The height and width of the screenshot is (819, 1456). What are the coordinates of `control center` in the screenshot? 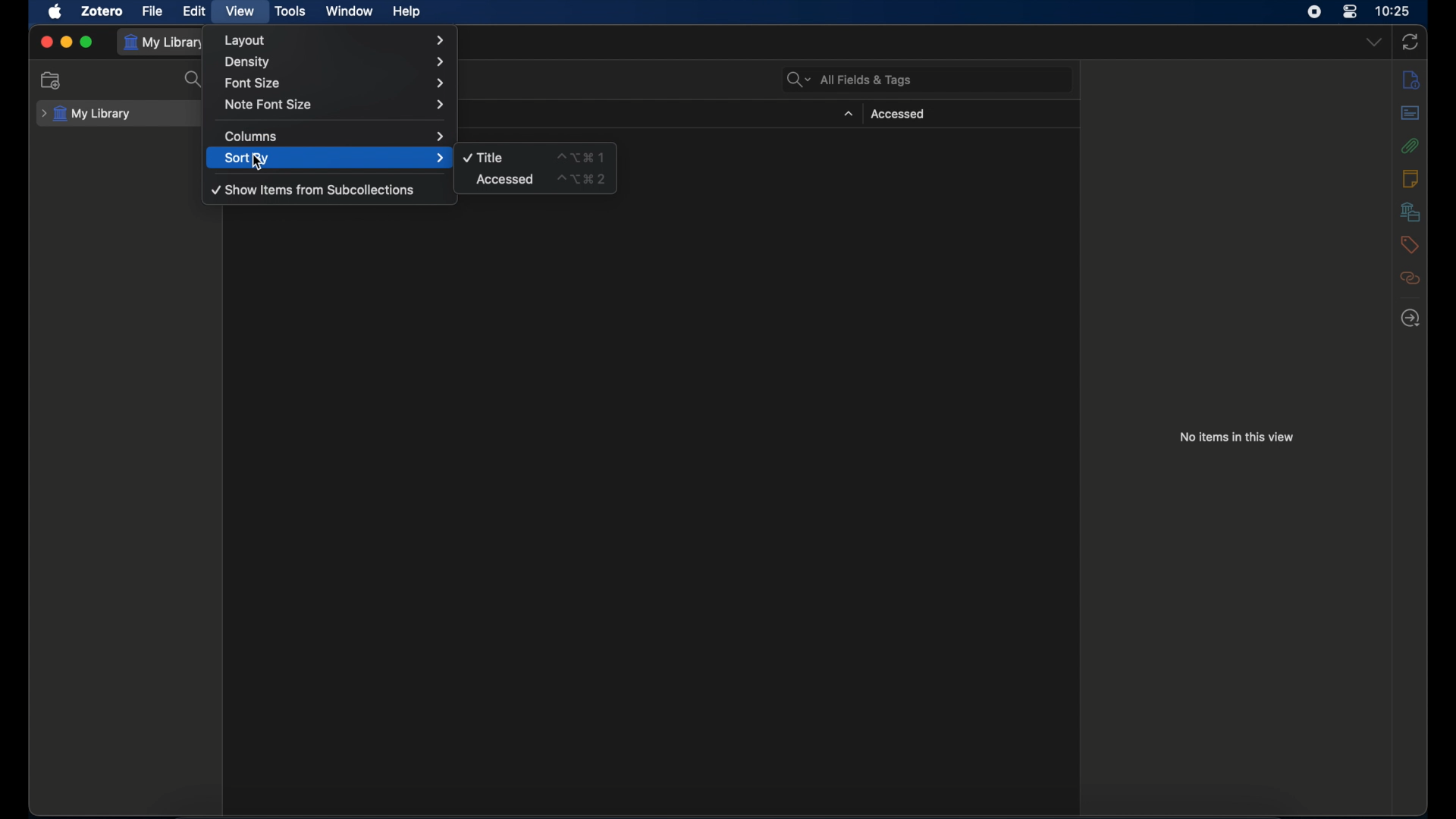 It's located at (1348, 11).